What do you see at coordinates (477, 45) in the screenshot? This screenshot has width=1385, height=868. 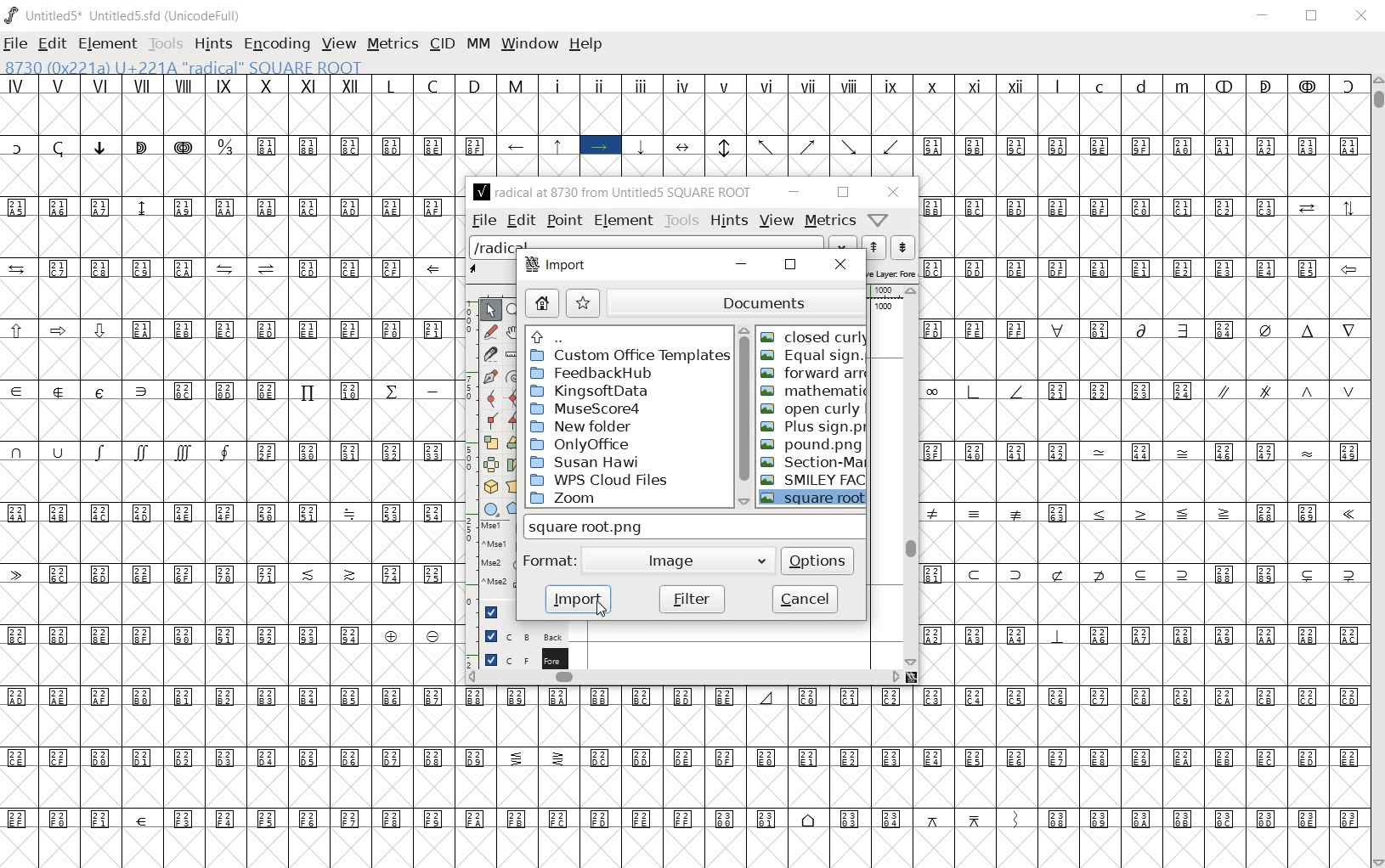 I see `MM` at bounding box center [477, 45].